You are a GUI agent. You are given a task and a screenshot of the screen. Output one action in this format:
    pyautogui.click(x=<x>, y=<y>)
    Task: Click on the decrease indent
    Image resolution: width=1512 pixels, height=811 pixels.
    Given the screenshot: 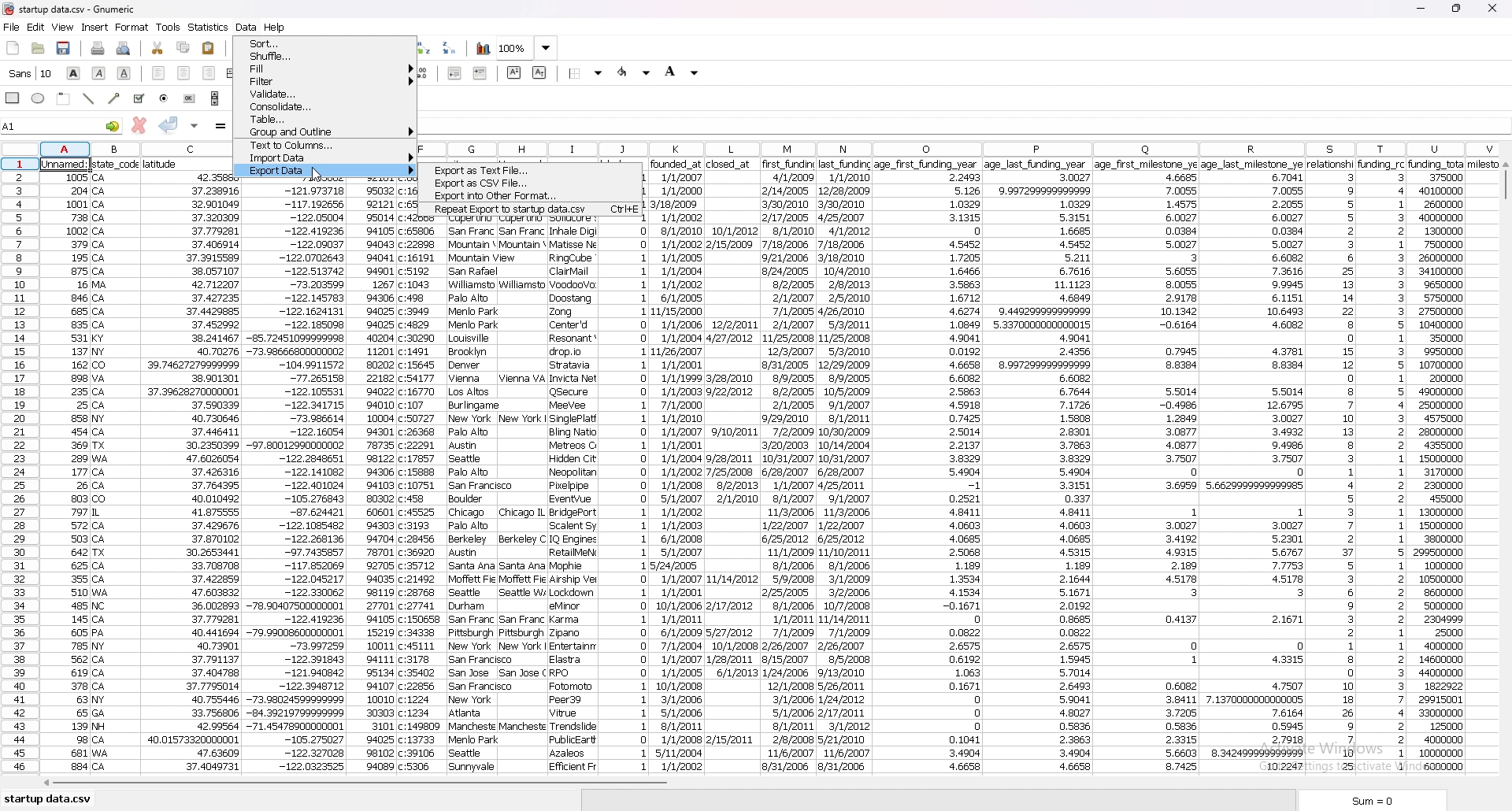 What is the action you would take?
    pyautogui.click(x=457, y=72)
    